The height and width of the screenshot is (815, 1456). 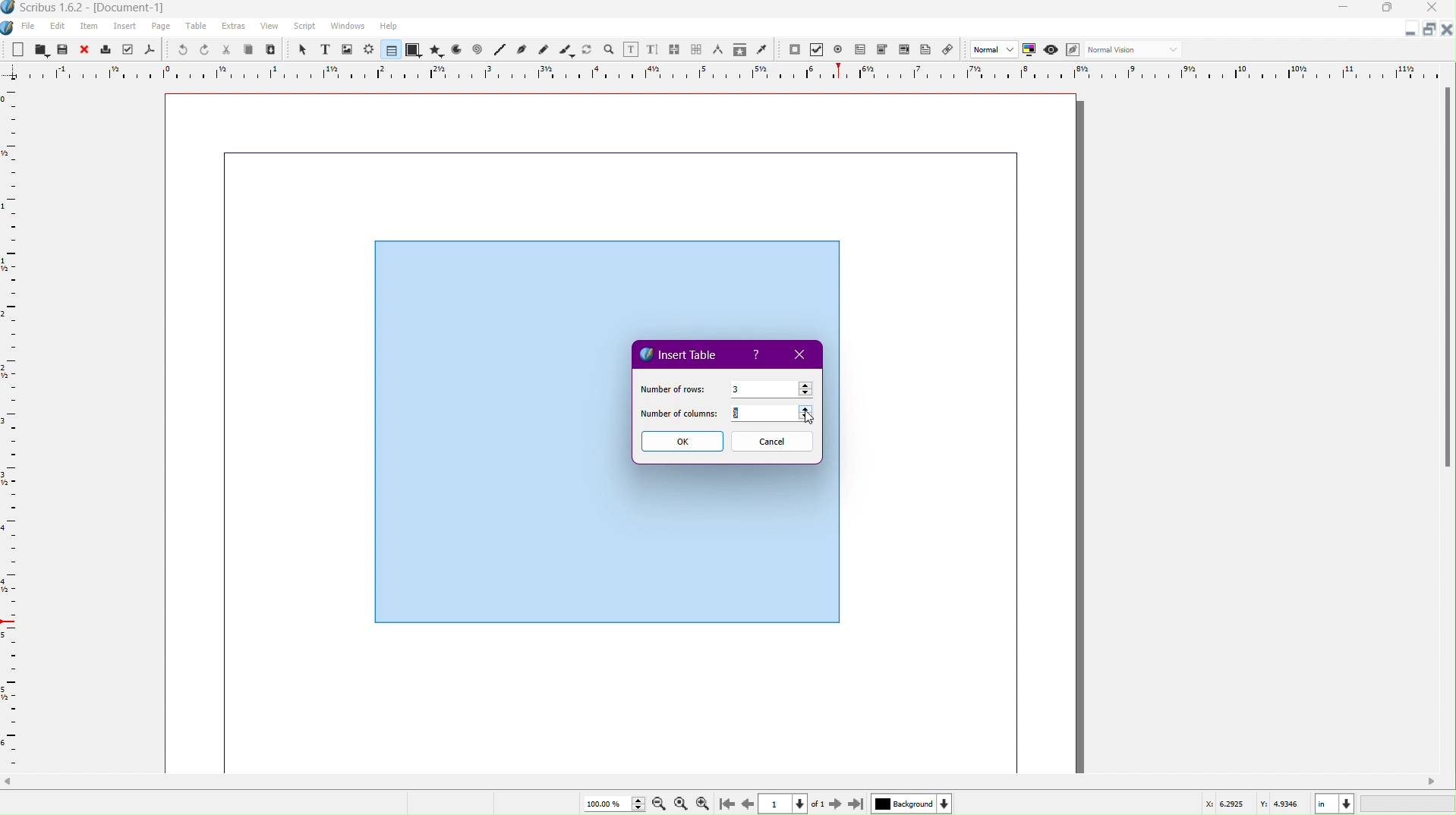 I want to click on OK, so click(x=681, y=442).